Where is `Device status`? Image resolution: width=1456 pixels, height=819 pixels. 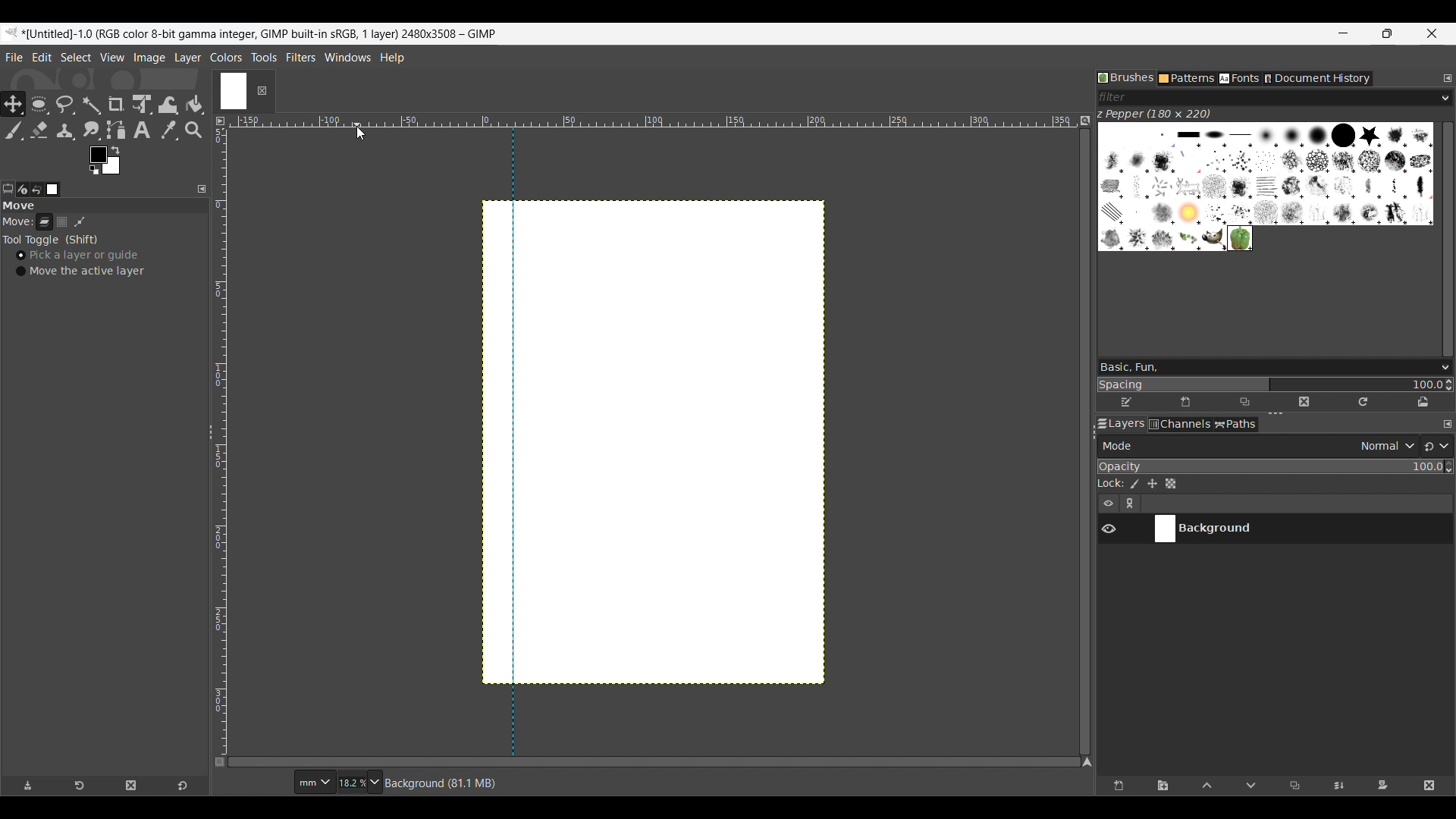 Device status is located at coordinates (22, 190).